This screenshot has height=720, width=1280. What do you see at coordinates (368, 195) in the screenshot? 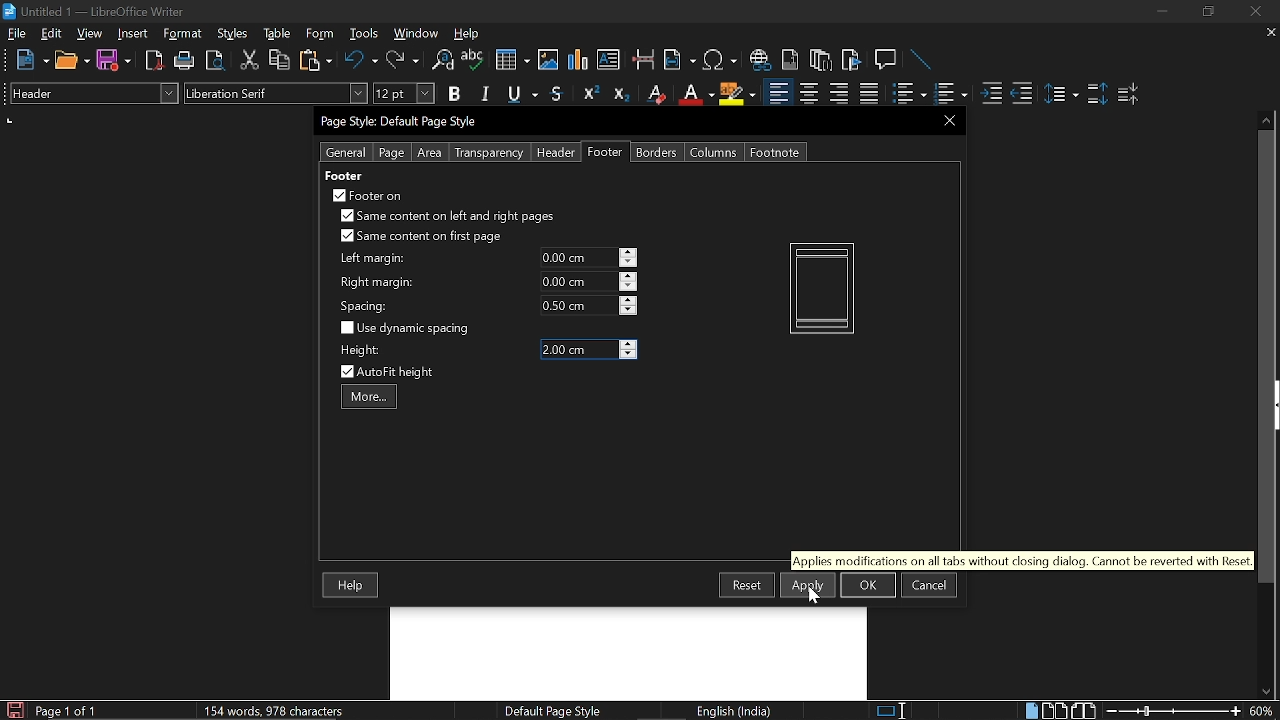
I see `Footer on` at bounding box center [368, 195].